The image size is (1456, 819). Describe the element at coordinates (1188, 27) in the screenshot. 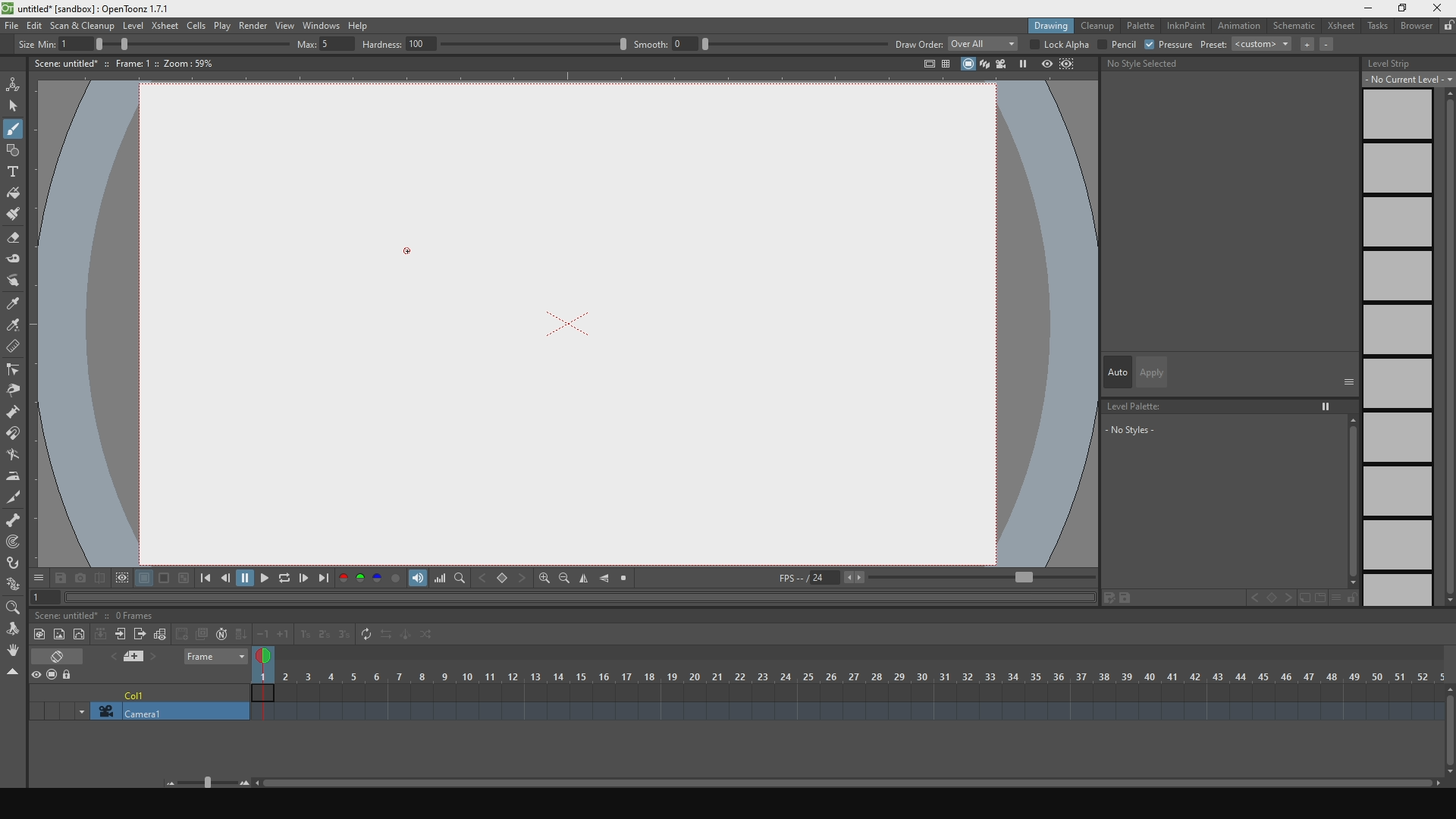

I see `inknpain` at that location.